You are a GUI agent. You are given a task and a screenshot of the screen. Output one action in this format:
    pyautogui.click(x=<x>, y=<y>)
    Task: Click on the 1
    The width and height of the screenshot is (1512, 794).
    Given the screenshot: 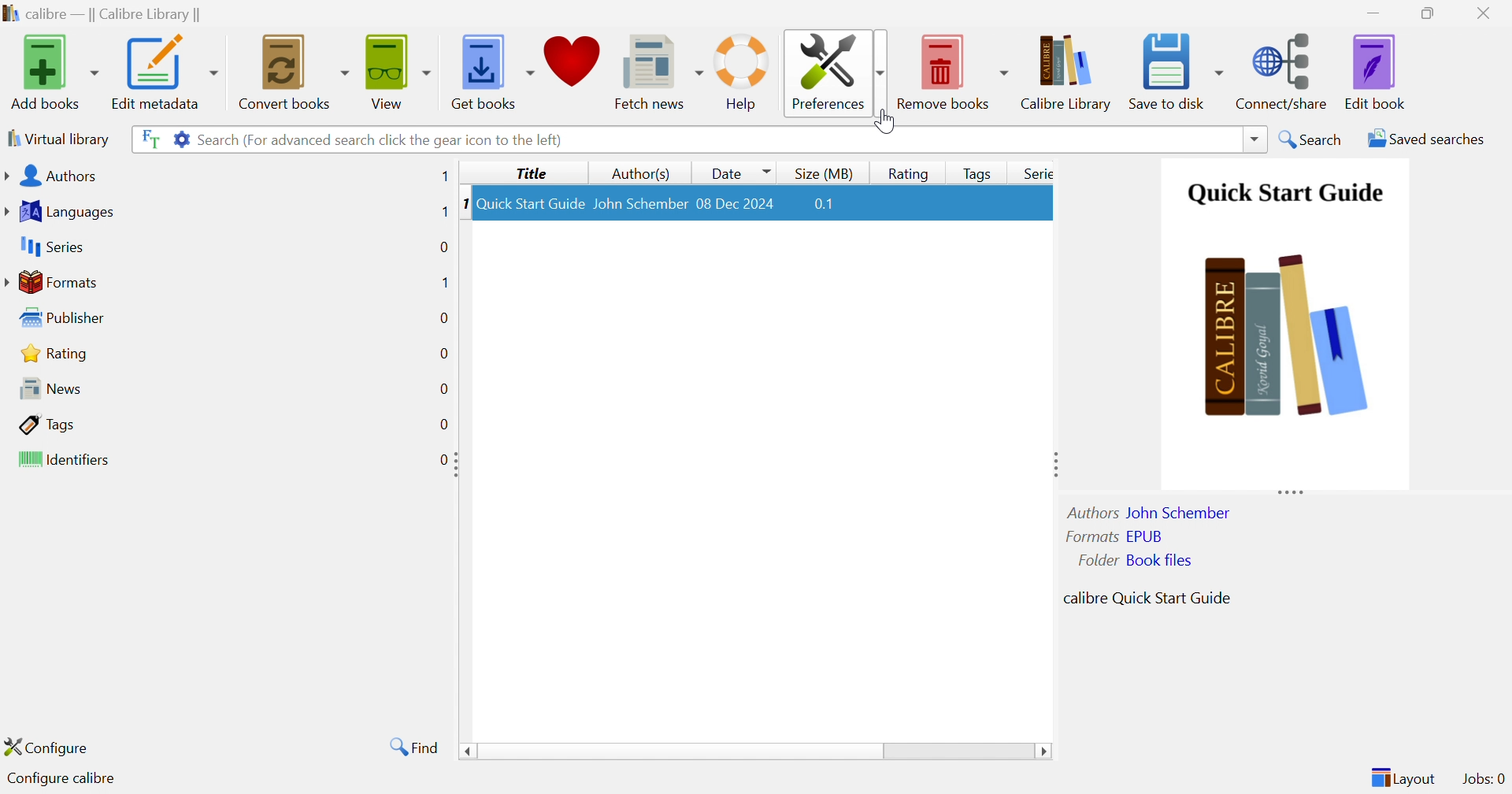 What is the action you would take?
    pyautogui.click(x=463, y=202)
    